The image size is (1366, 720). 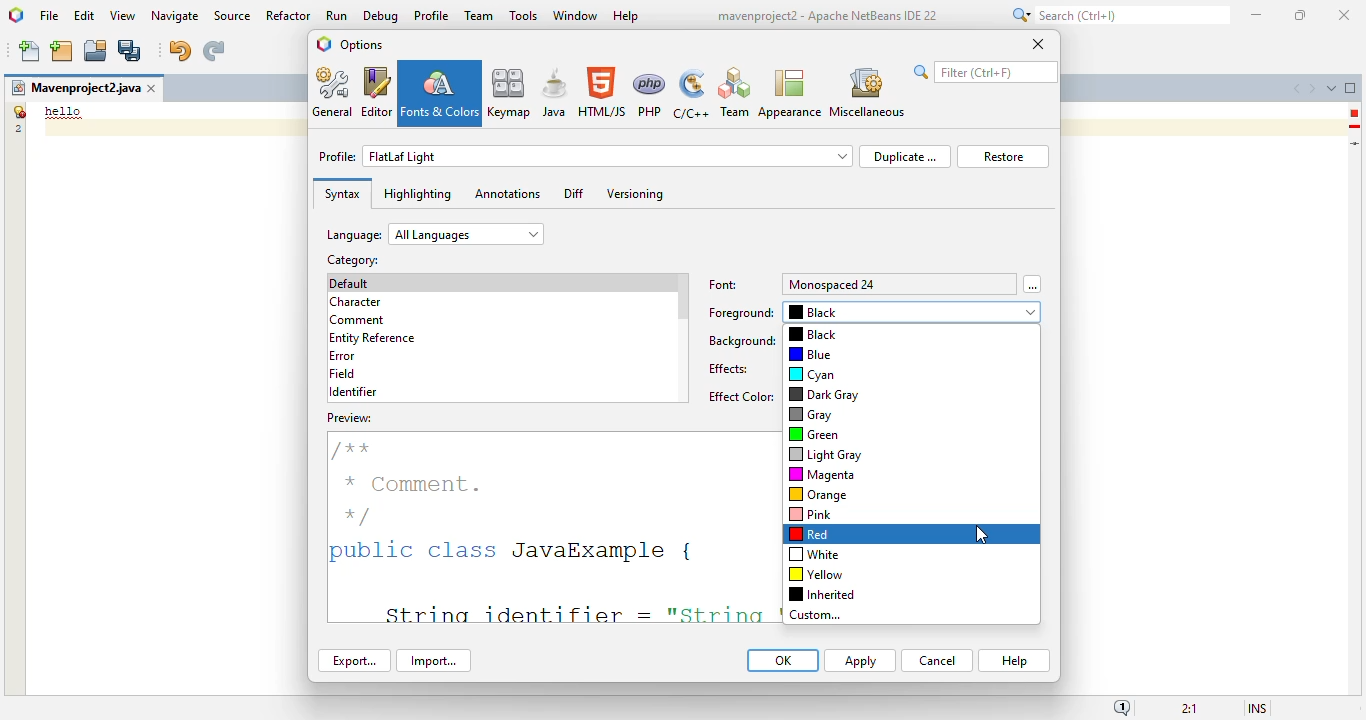 I want to click on demo text, so click(x=64, y=111).